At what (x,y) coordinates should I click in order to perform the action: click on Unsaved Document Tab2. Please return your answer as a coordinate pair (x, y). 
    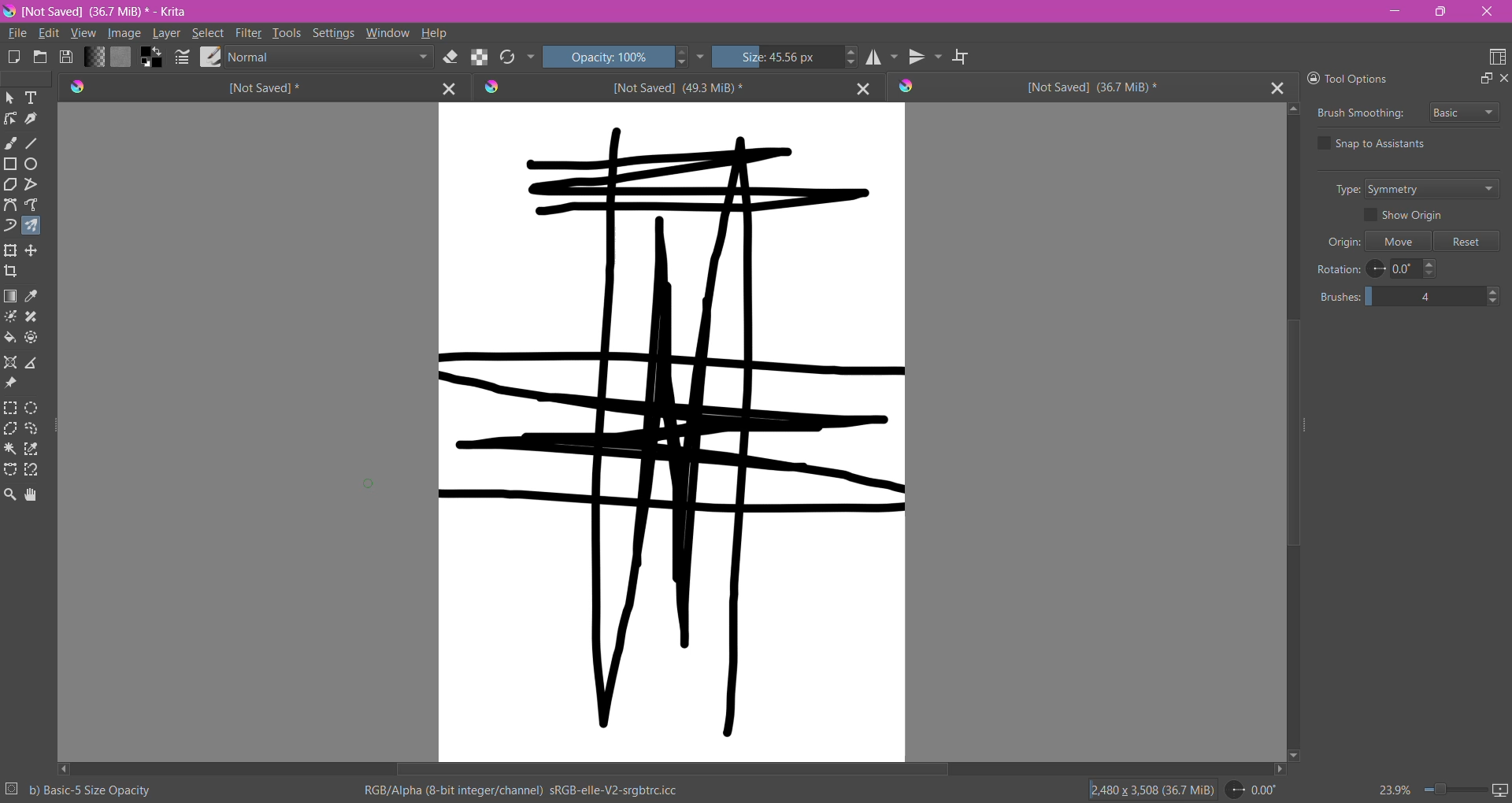
    Looking at the image, I should click on (652, 87).